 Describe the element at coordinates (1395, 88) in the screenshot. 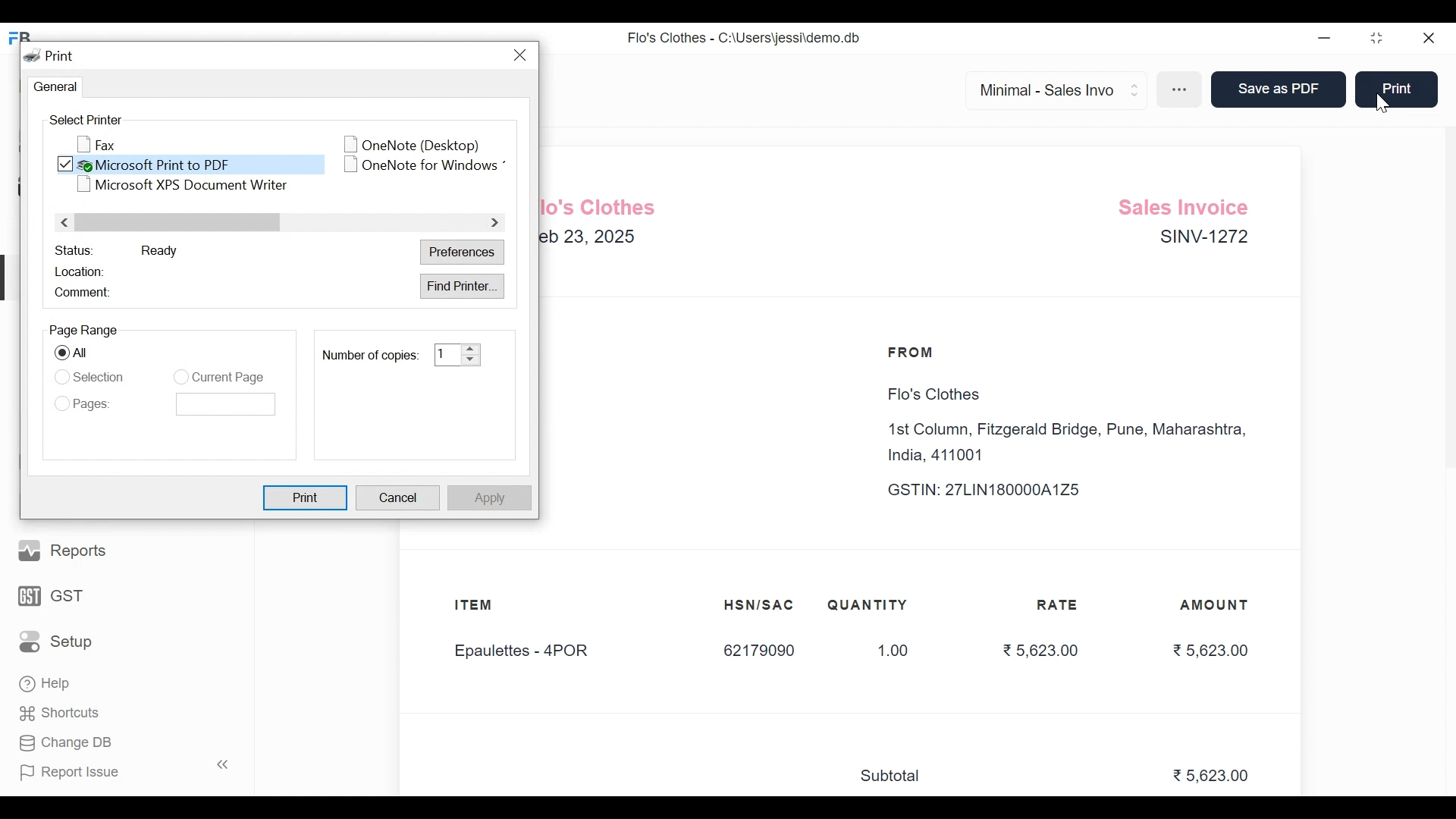

I see `Print` at that location.